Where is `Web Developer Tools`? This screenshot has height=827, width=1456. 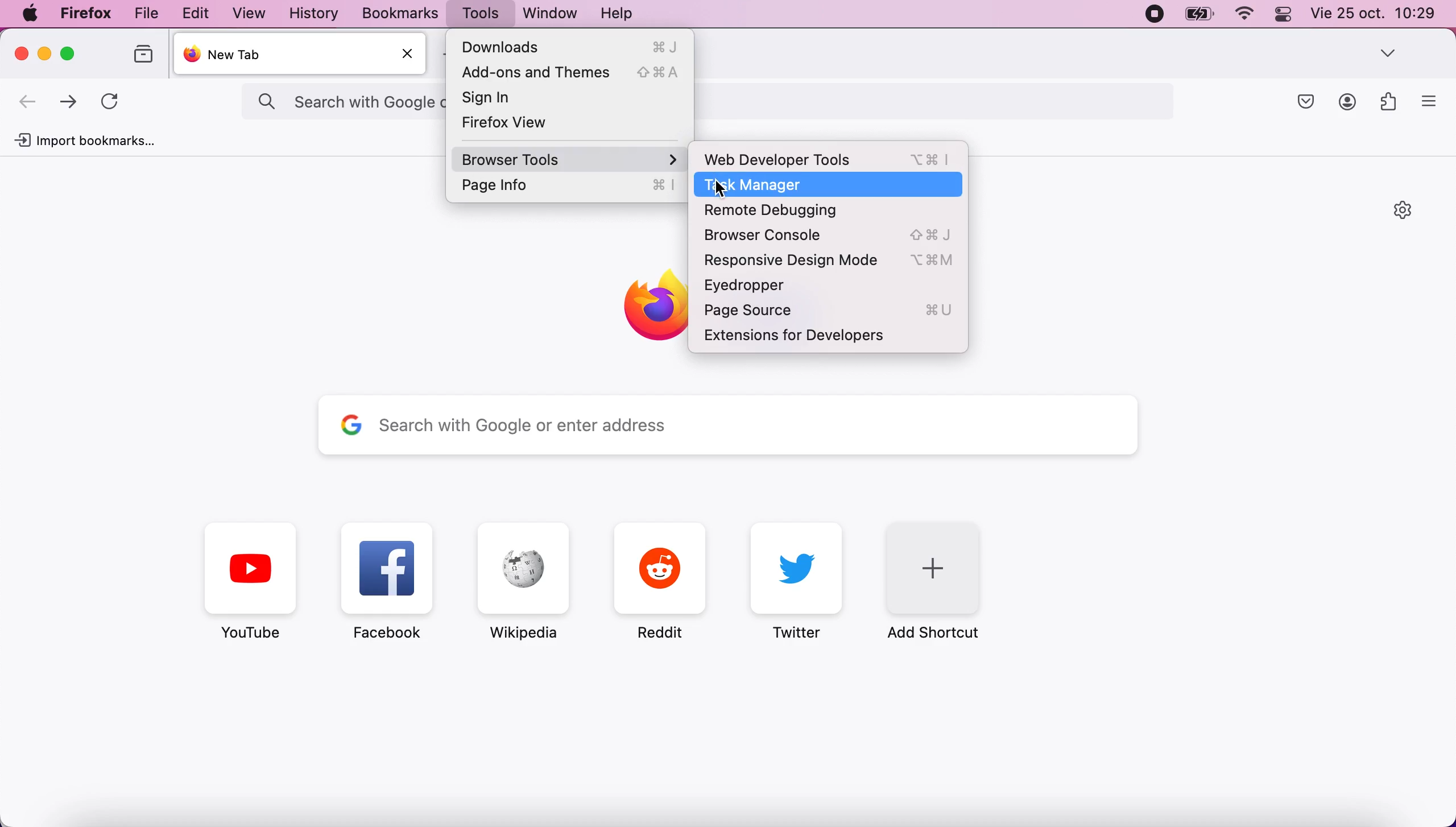
Web Developer Tools is located at coordinates (826, 160).